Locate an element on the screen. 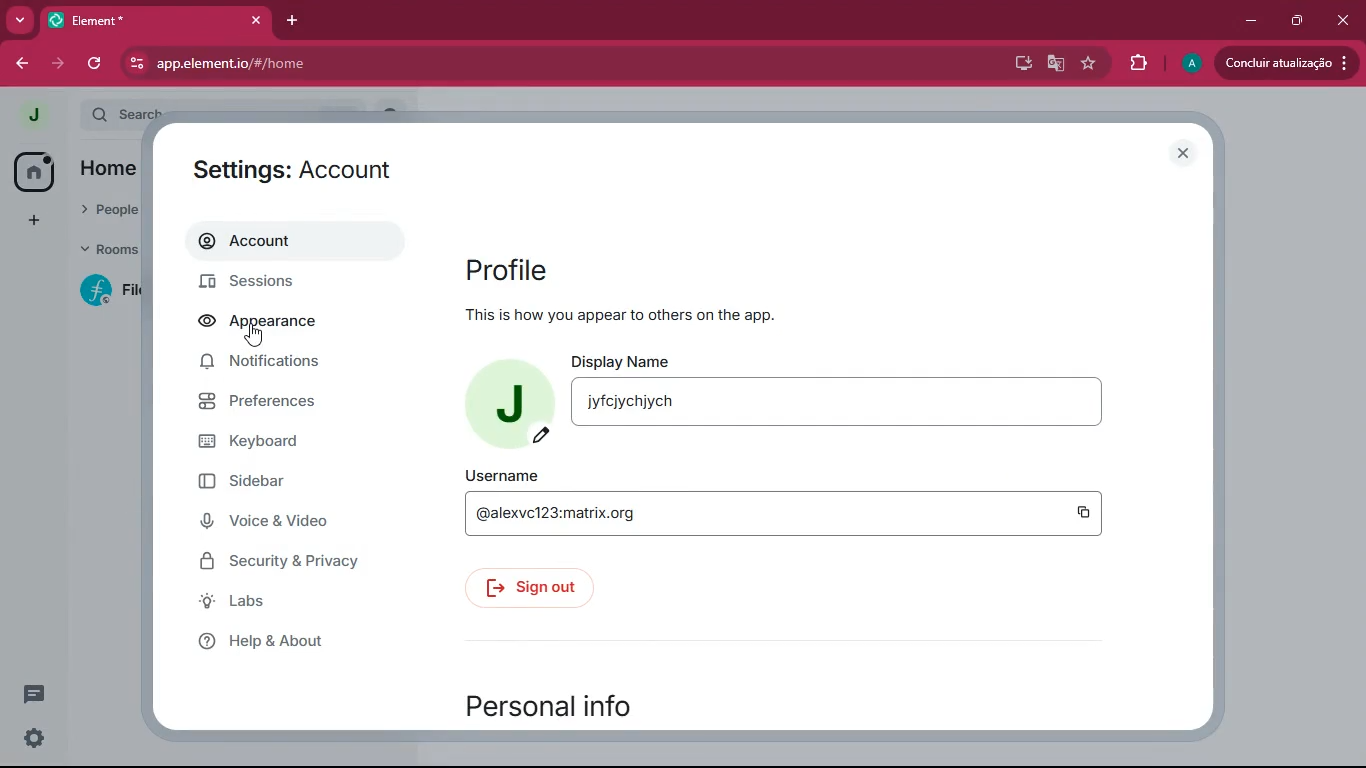  display name is located at coordinates (866, 407).